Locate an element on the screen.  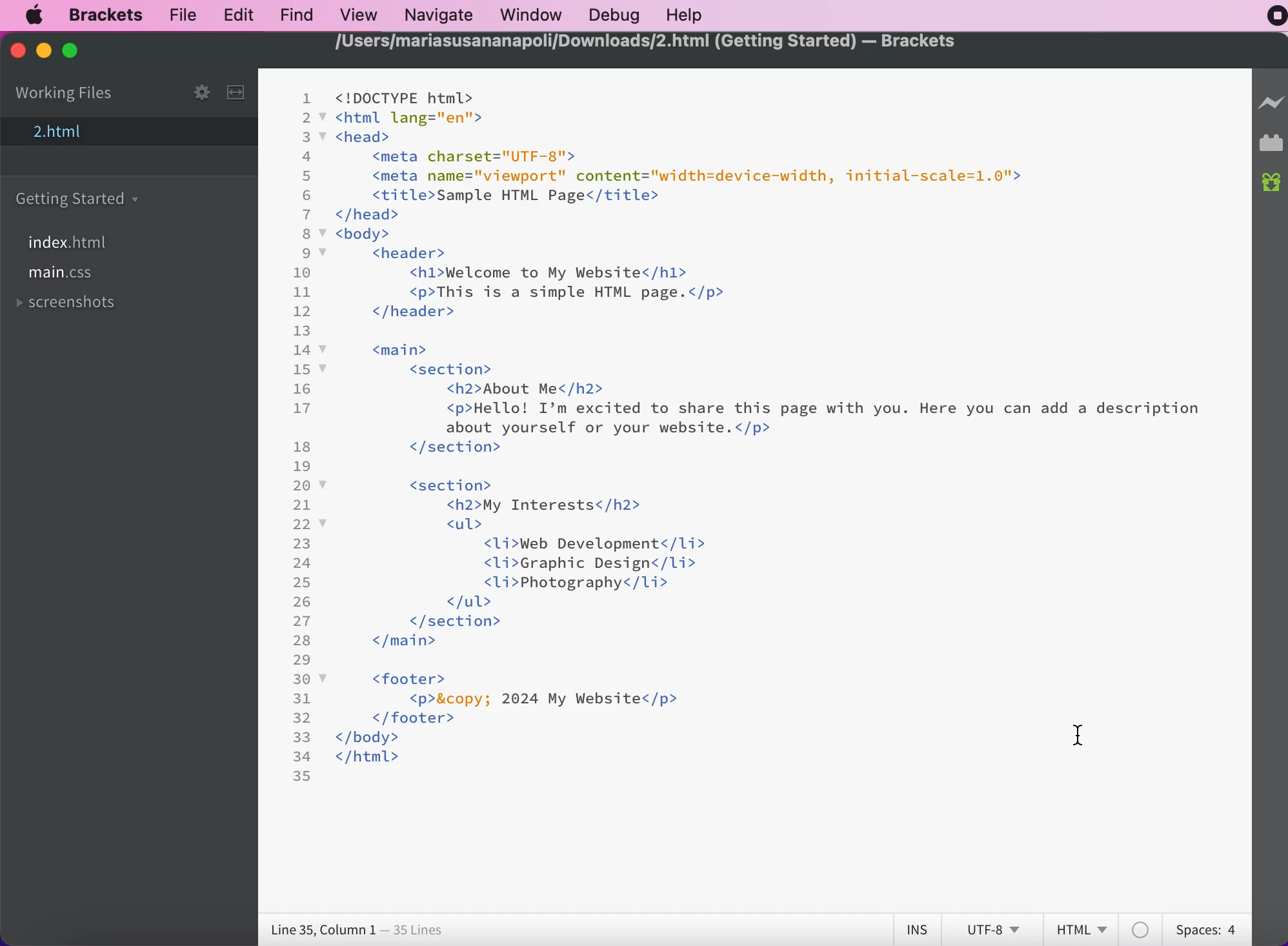
24 is located at coordinates (303, 563).